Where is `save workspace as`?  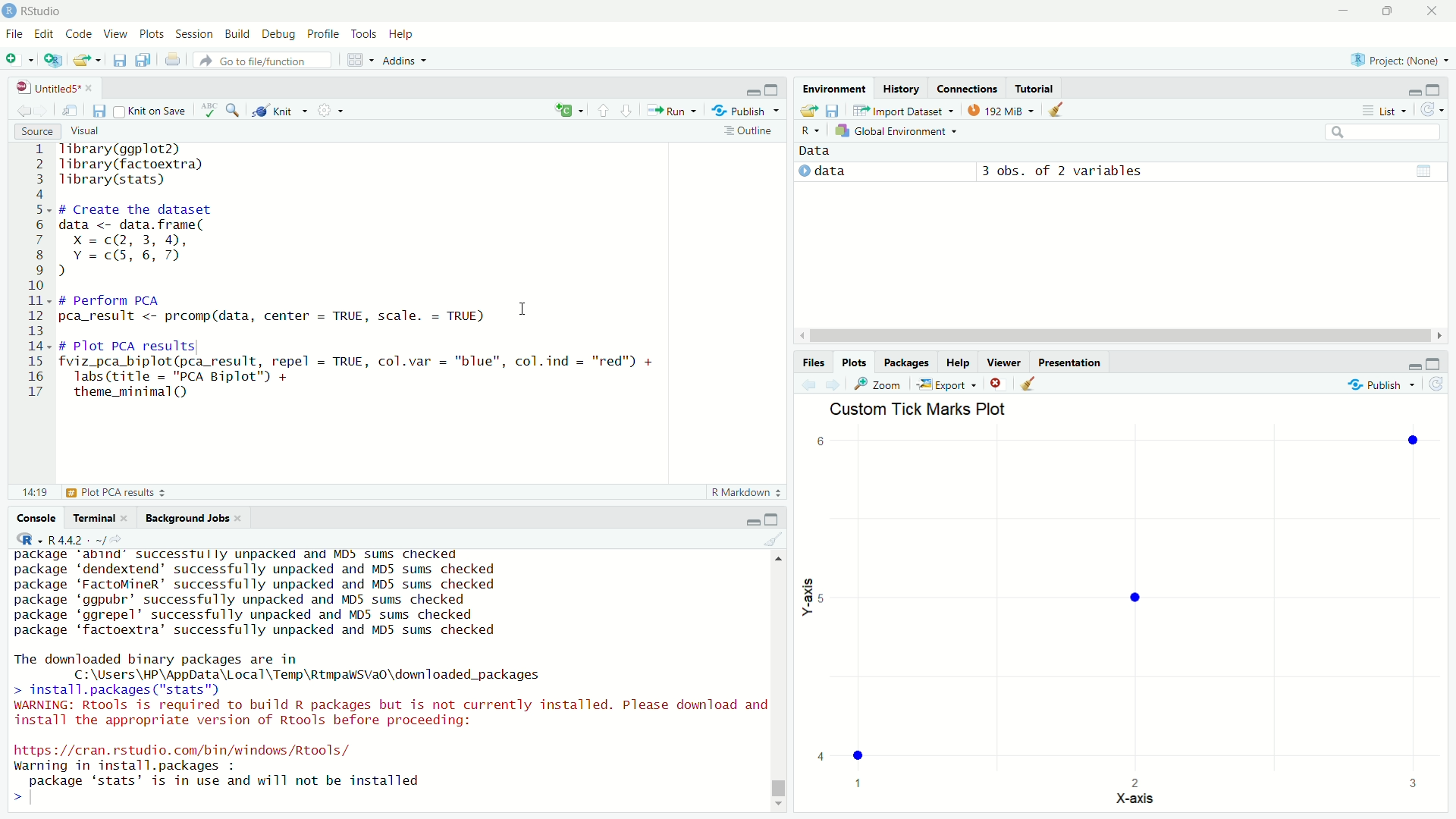 save workspace as is located at coordinates (835, 108).